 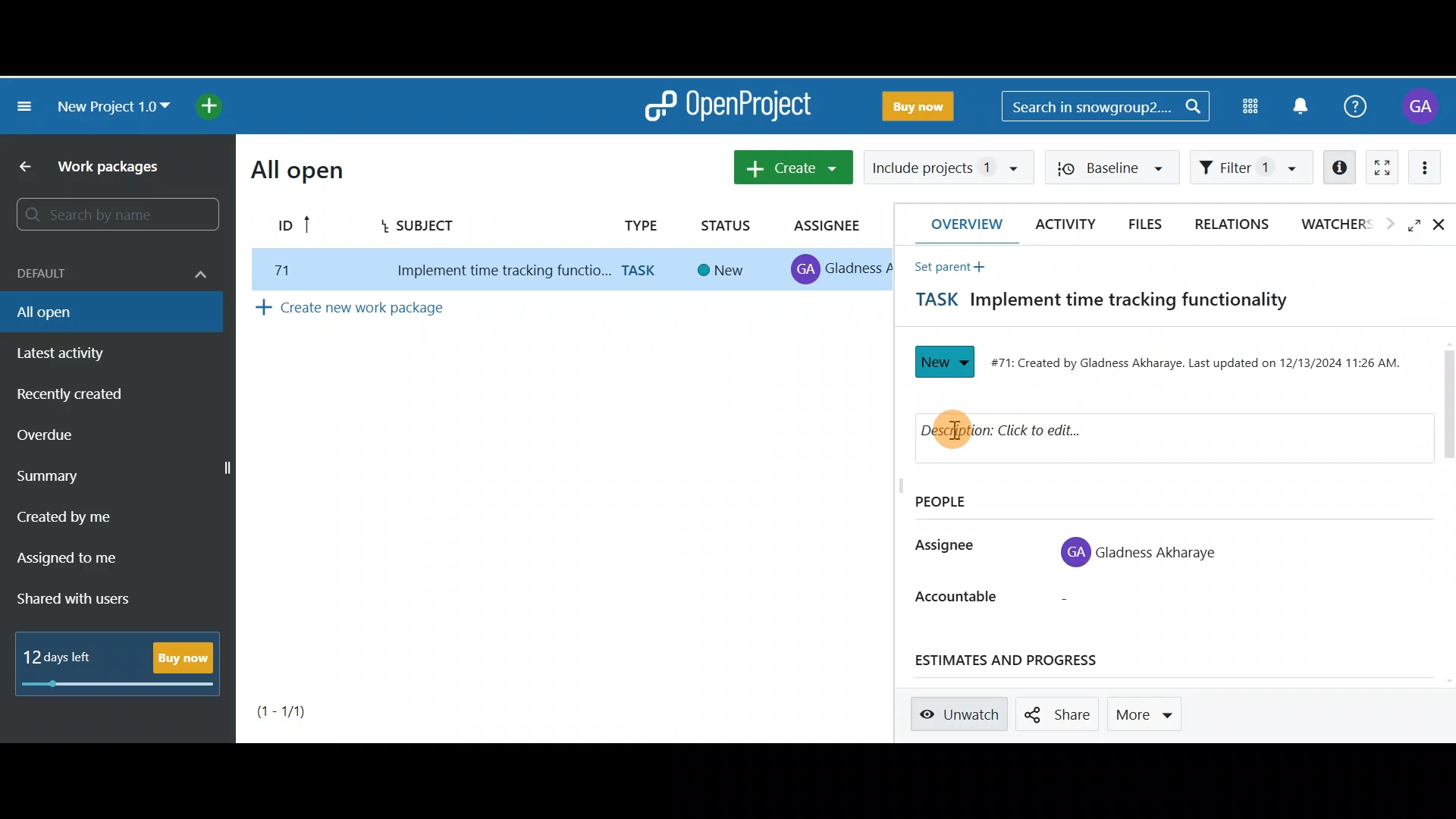 What do you see at coordinates (962, 714) in the screenshot?
I see `Unwatch` at bounding box center [962, 714].